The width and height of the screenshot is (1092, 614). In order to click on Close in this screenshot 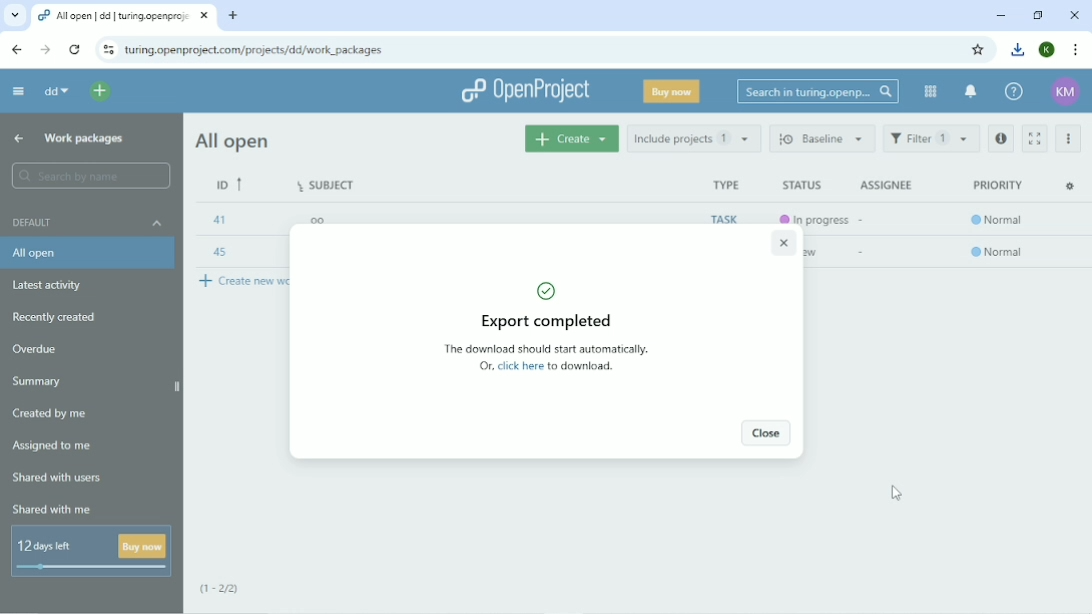, I will do `click(782, 244)`.